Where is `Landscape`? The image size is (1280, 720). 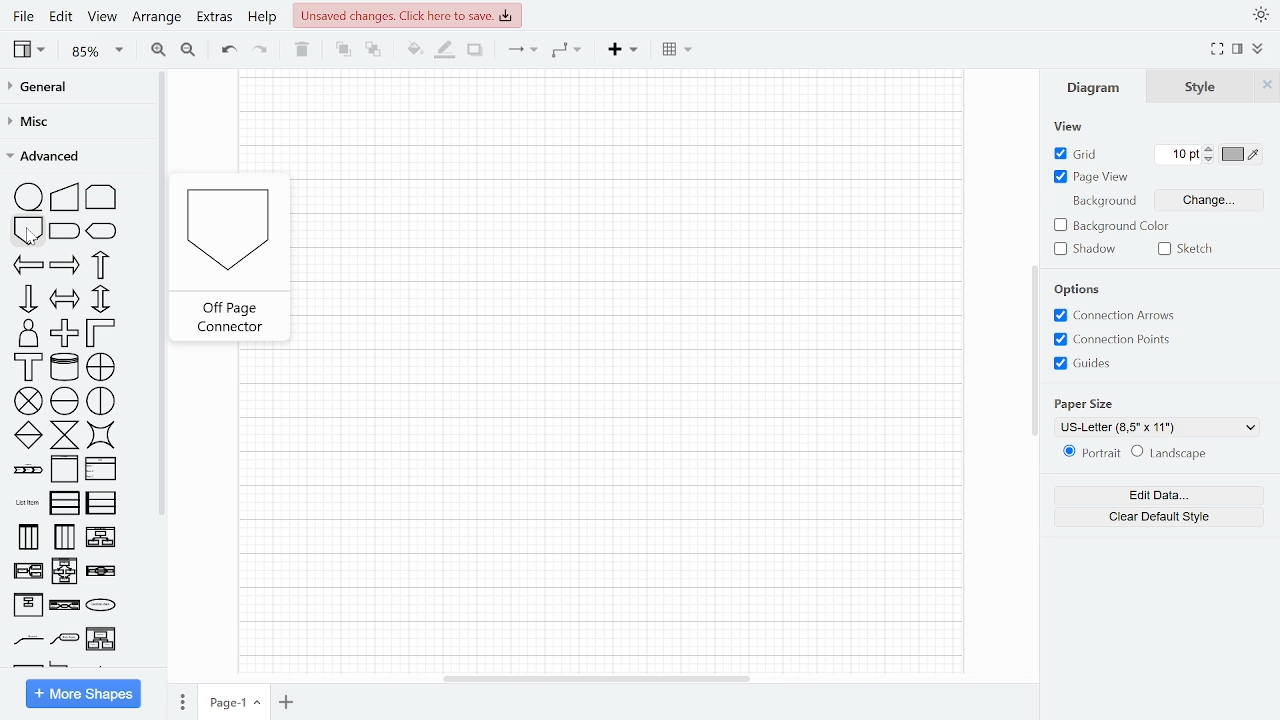 Landscape is located at coordinates (1174, 451).